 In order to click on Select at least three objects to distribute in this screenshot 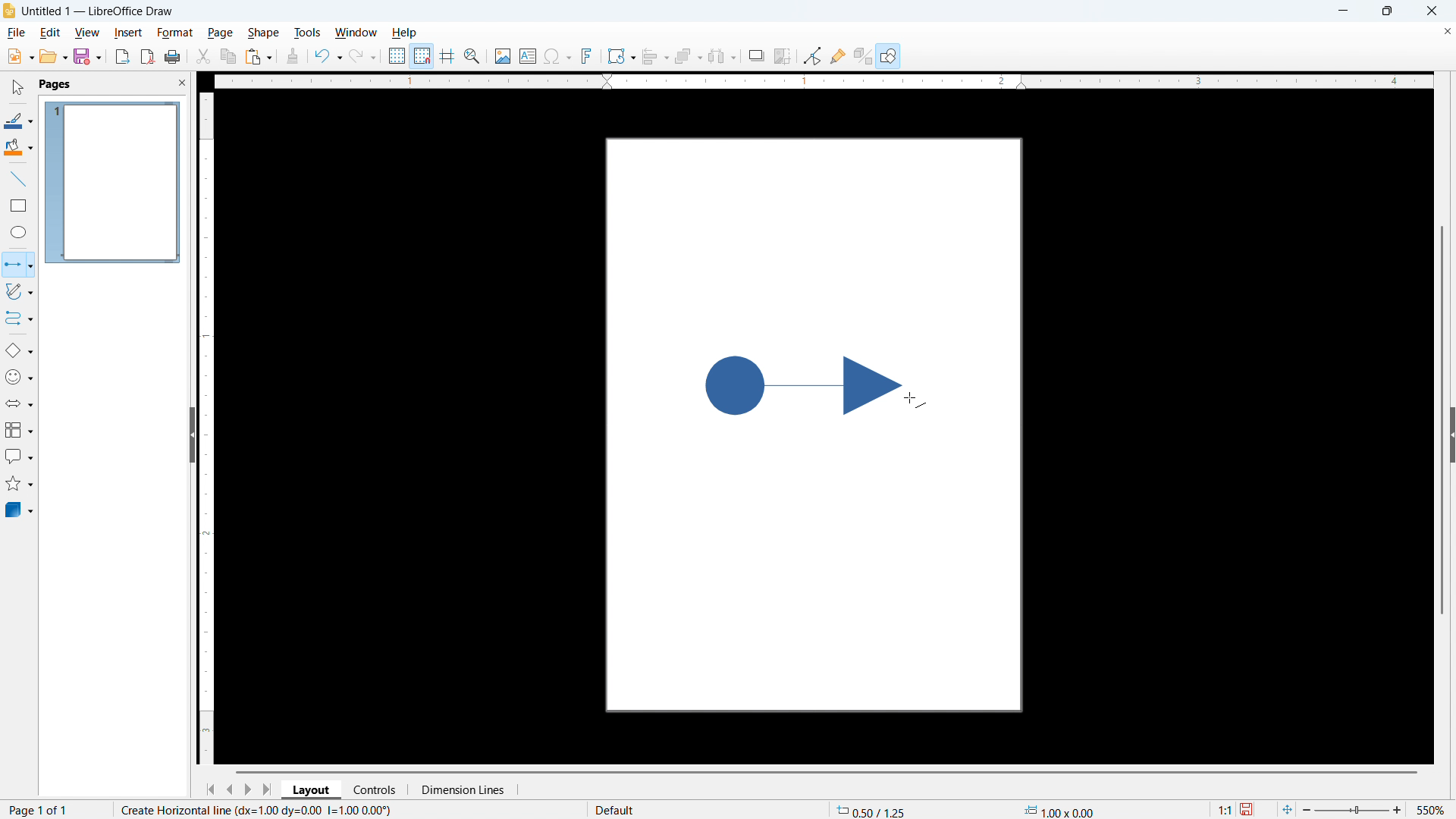, I will do `click(723, 56)`.